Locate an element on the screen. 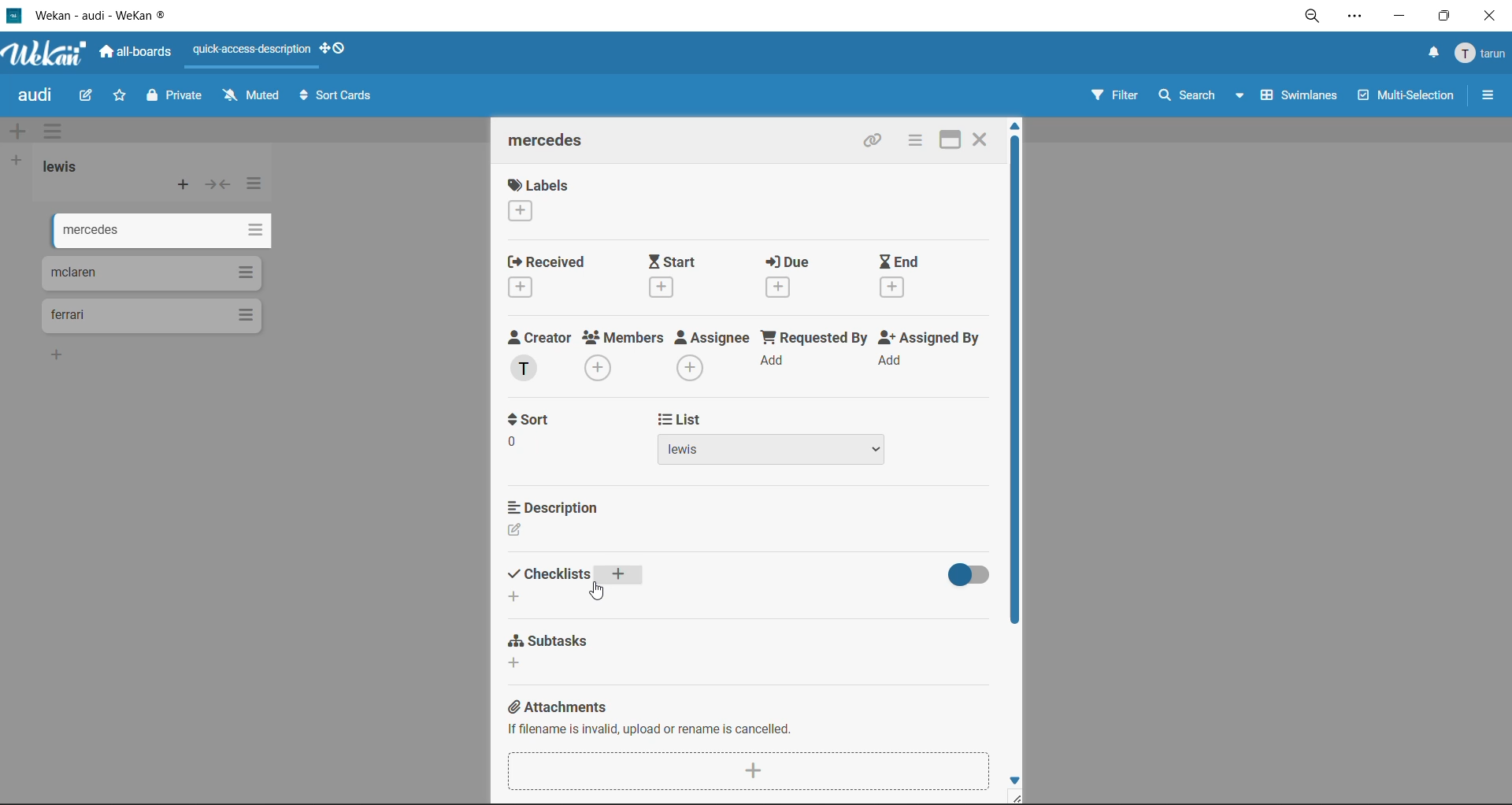  enable/disable is located at coordinates (966, 573).